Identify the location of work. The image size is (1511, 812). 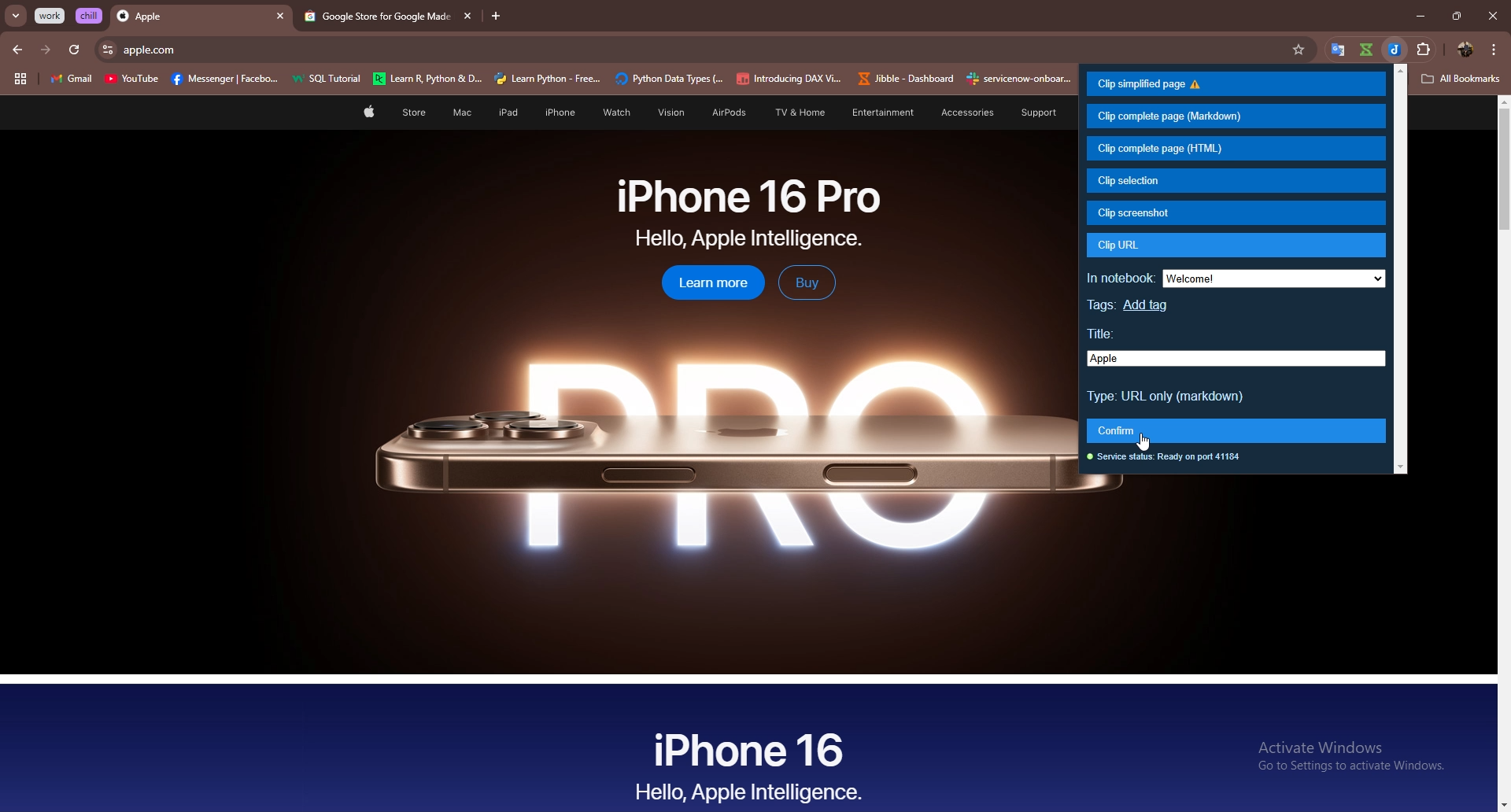
(51, 16).